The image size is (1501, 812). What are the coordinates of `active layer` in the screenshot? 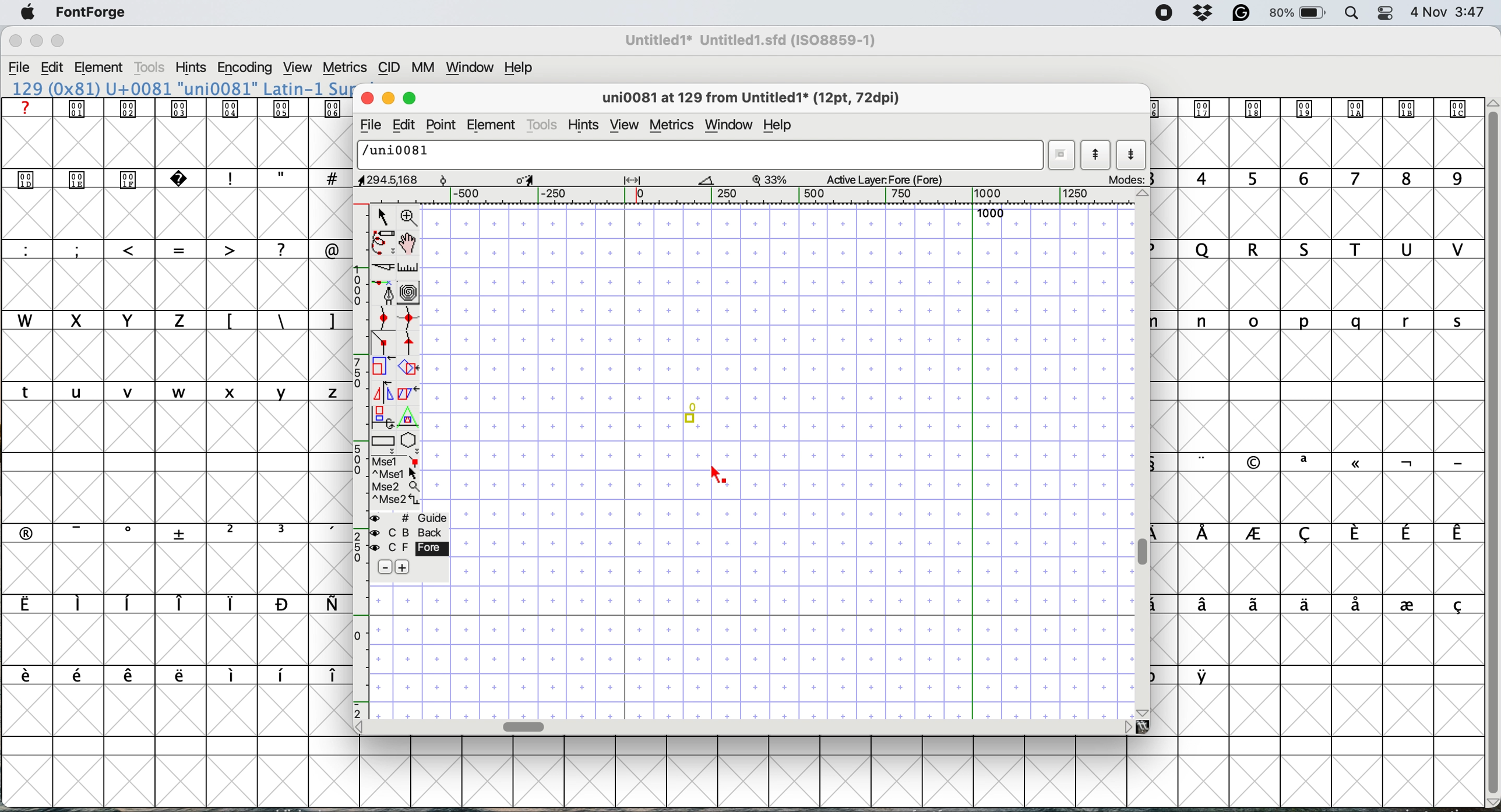 It's located at (886, 180).